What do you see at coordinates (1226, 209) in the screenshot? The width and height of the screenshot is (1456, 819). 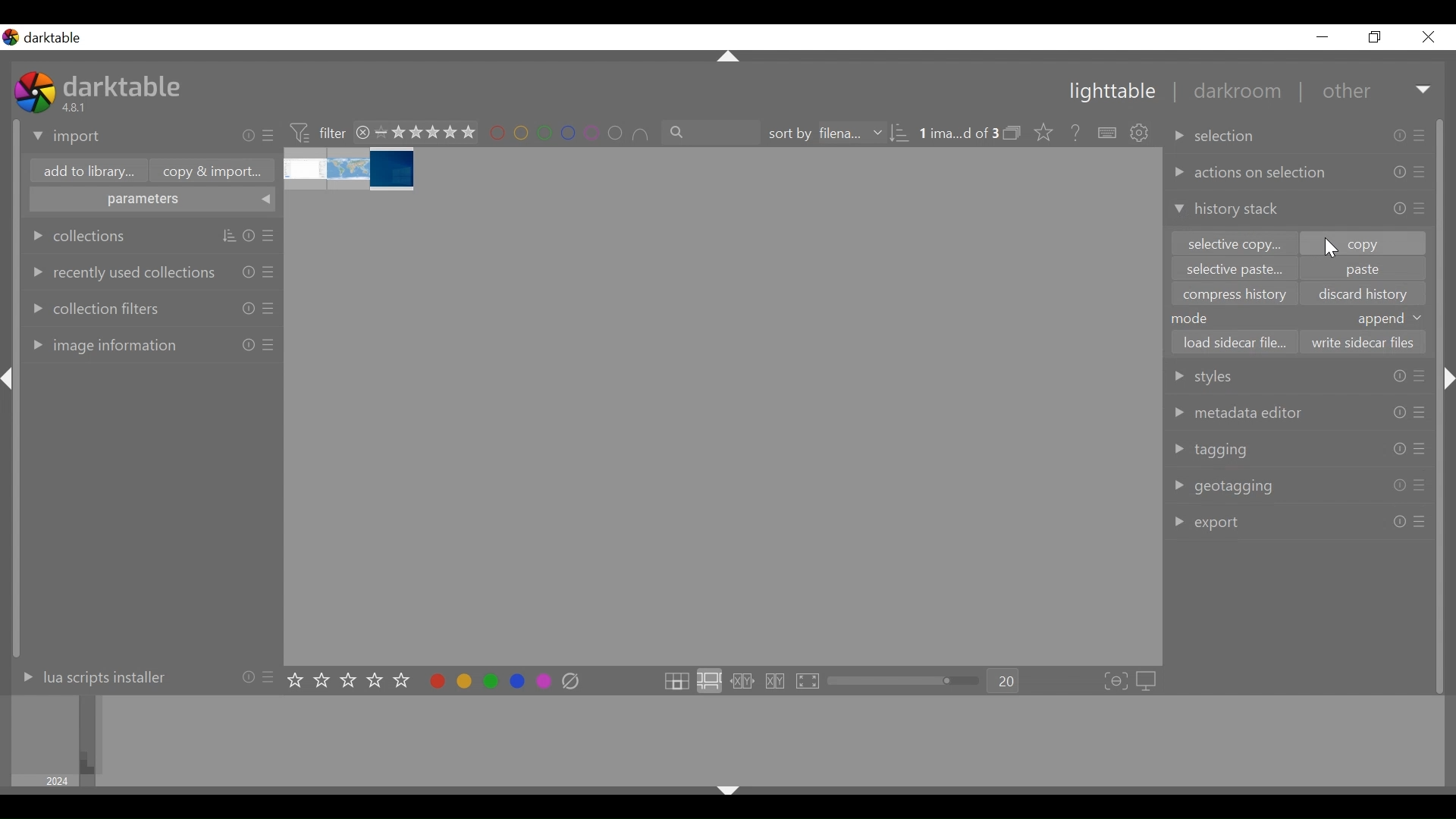 I see `history stack` at bounding box center [1226, 209].